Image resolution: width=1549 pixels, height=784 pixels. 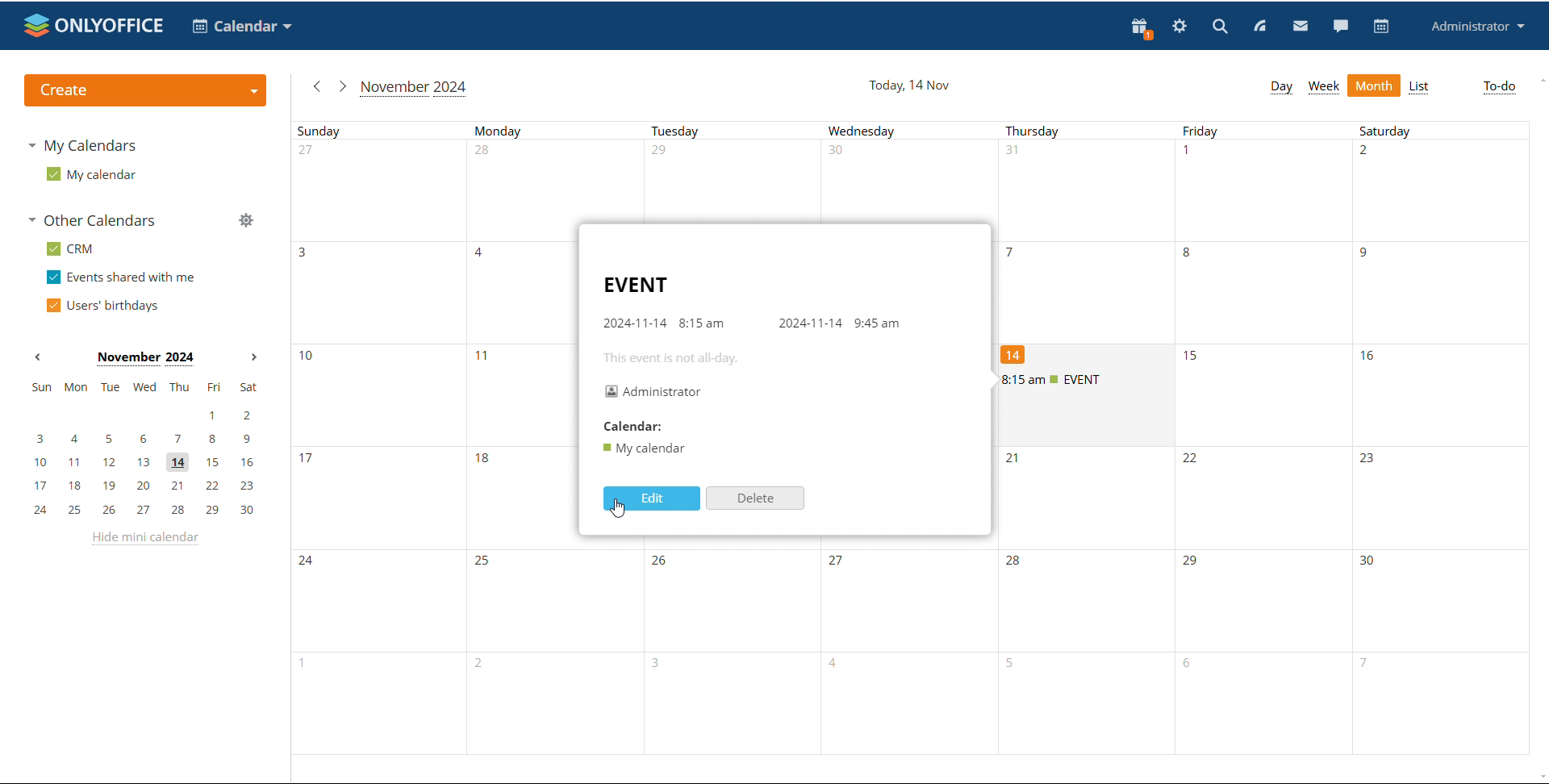 What do you see at coordinates (808, 323) in the screenshot?
I see `end date` at bounding box center [808, 323].